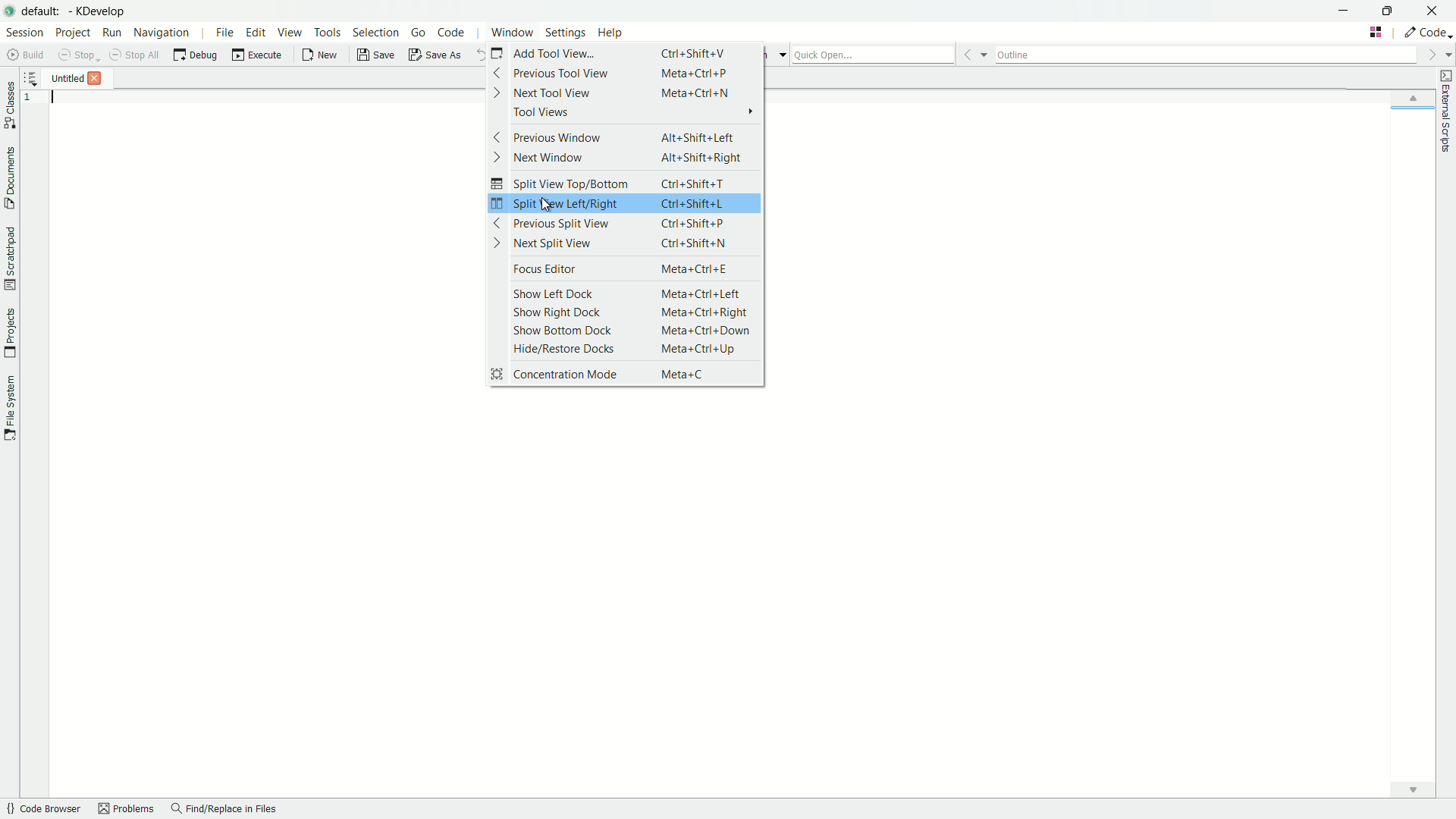 The width and height of the screenshot is (1456, 819). I want to click on next split view, so click(560, 243).